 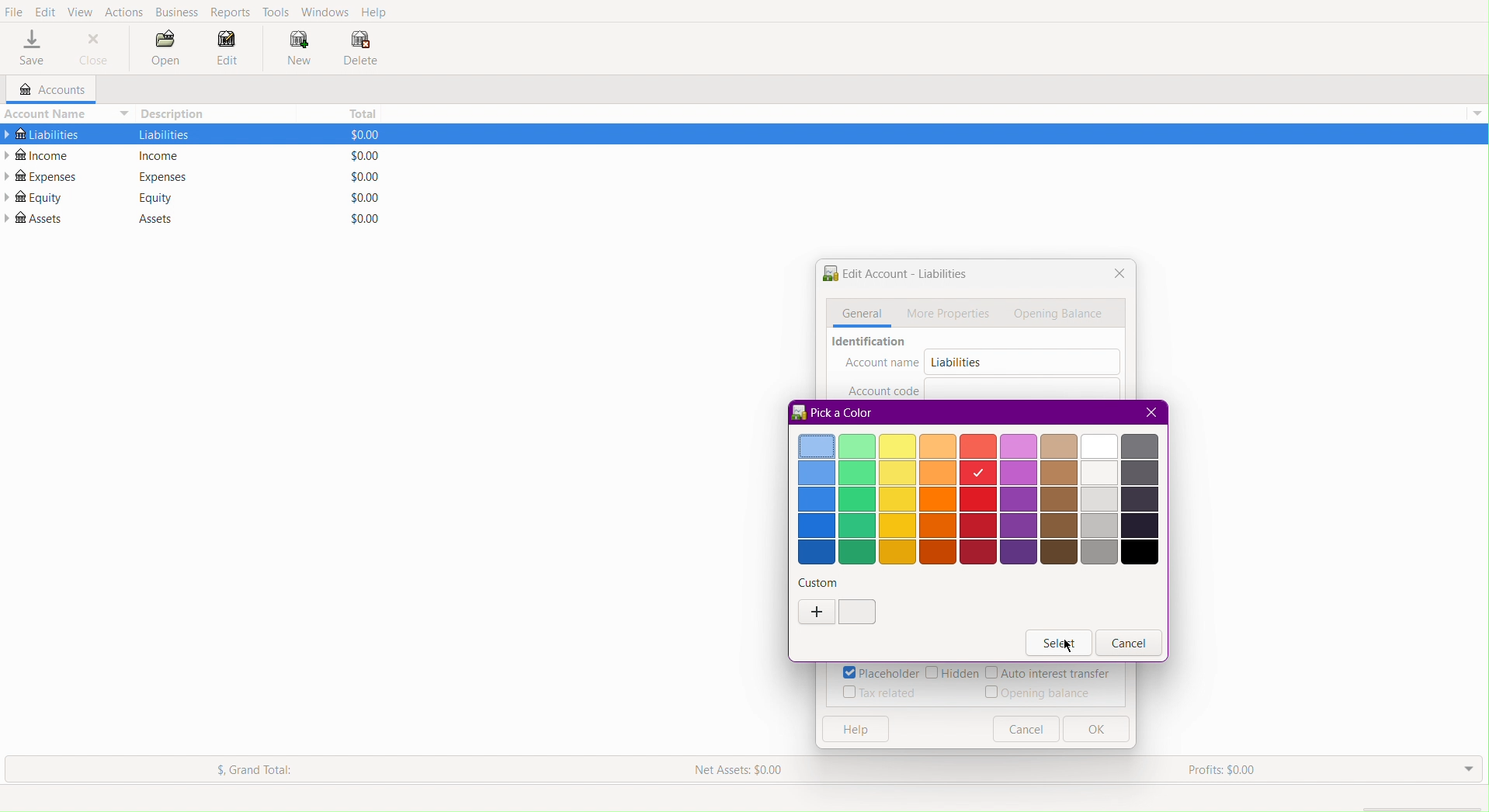 I want to click on Liabilities, so click(x=42, y=132).